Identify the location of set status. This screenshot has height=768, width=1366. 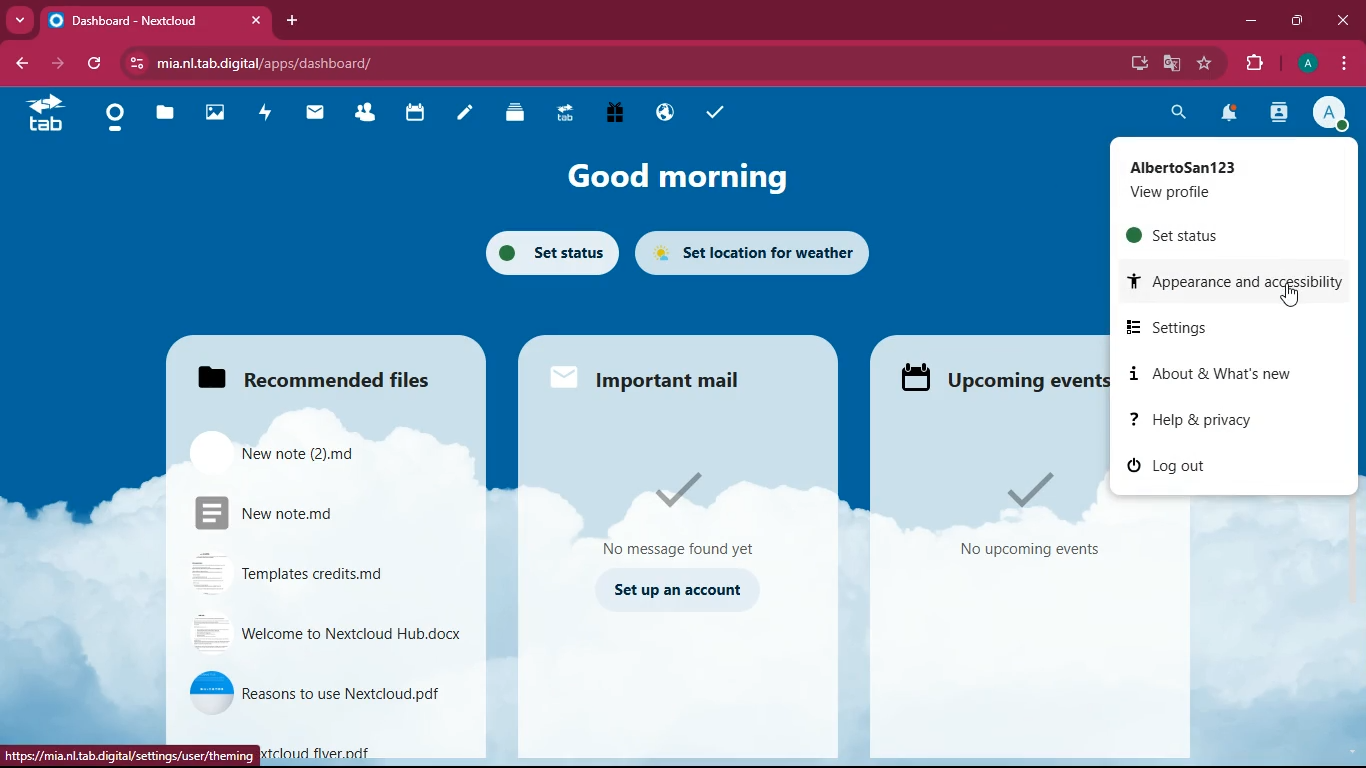
(1227, 236).